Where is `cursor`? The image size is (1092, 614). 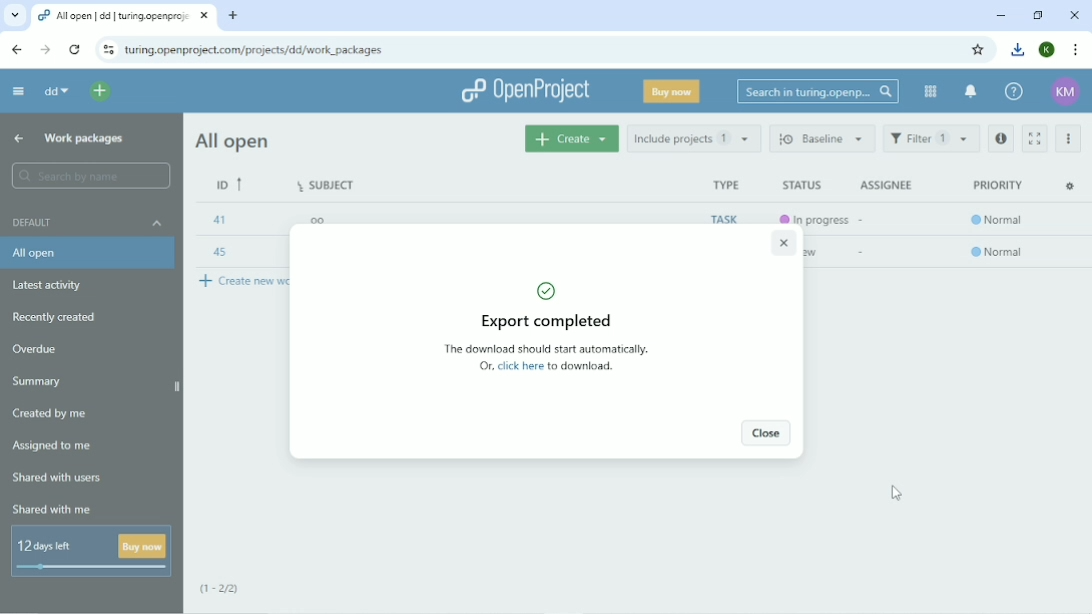
cursor is located at coordinates (1065, 154).